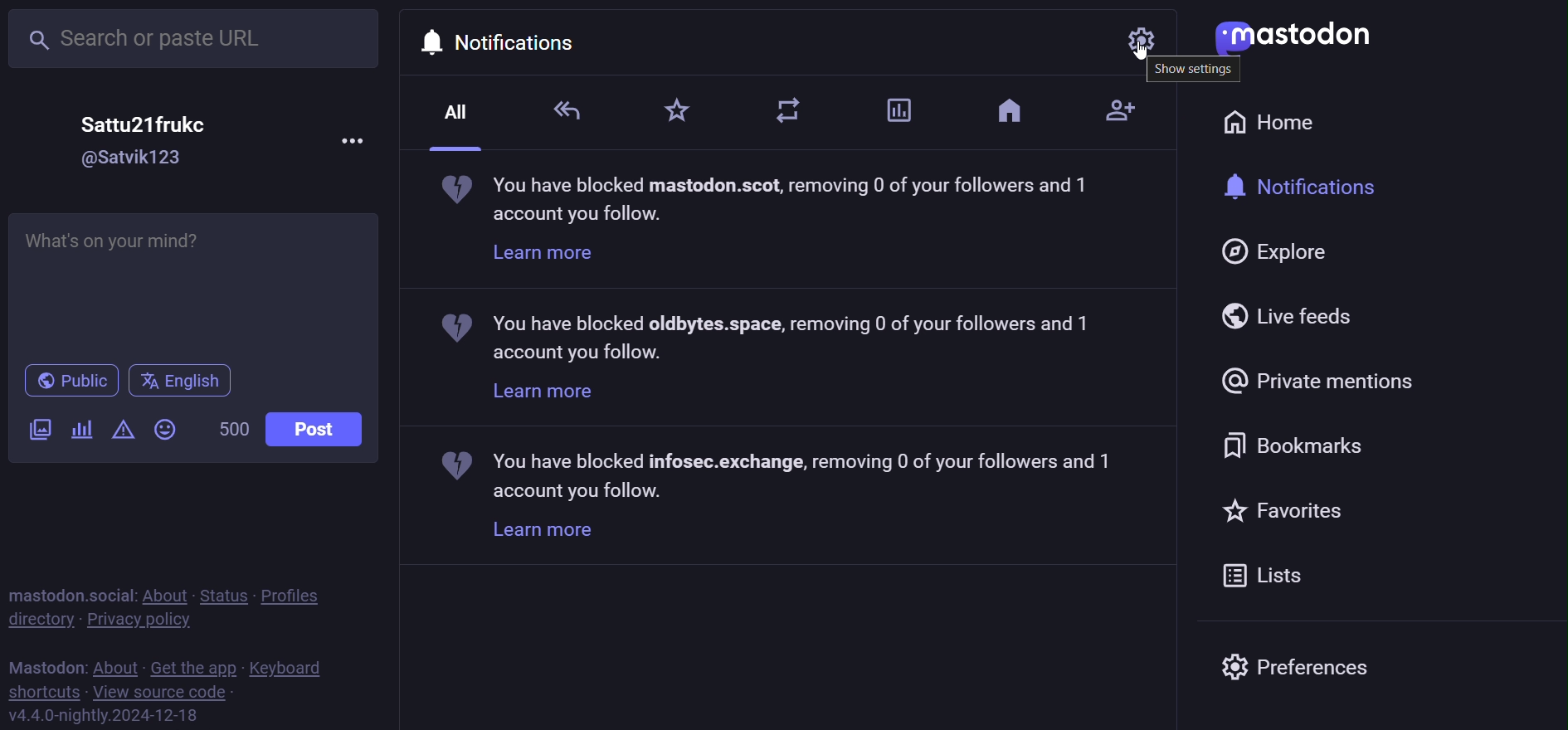 The image size is (1568, 730). What do you see at coordinates (38, 431) in the screenshot?
I see `image/video` at bounding box center [38, 431].